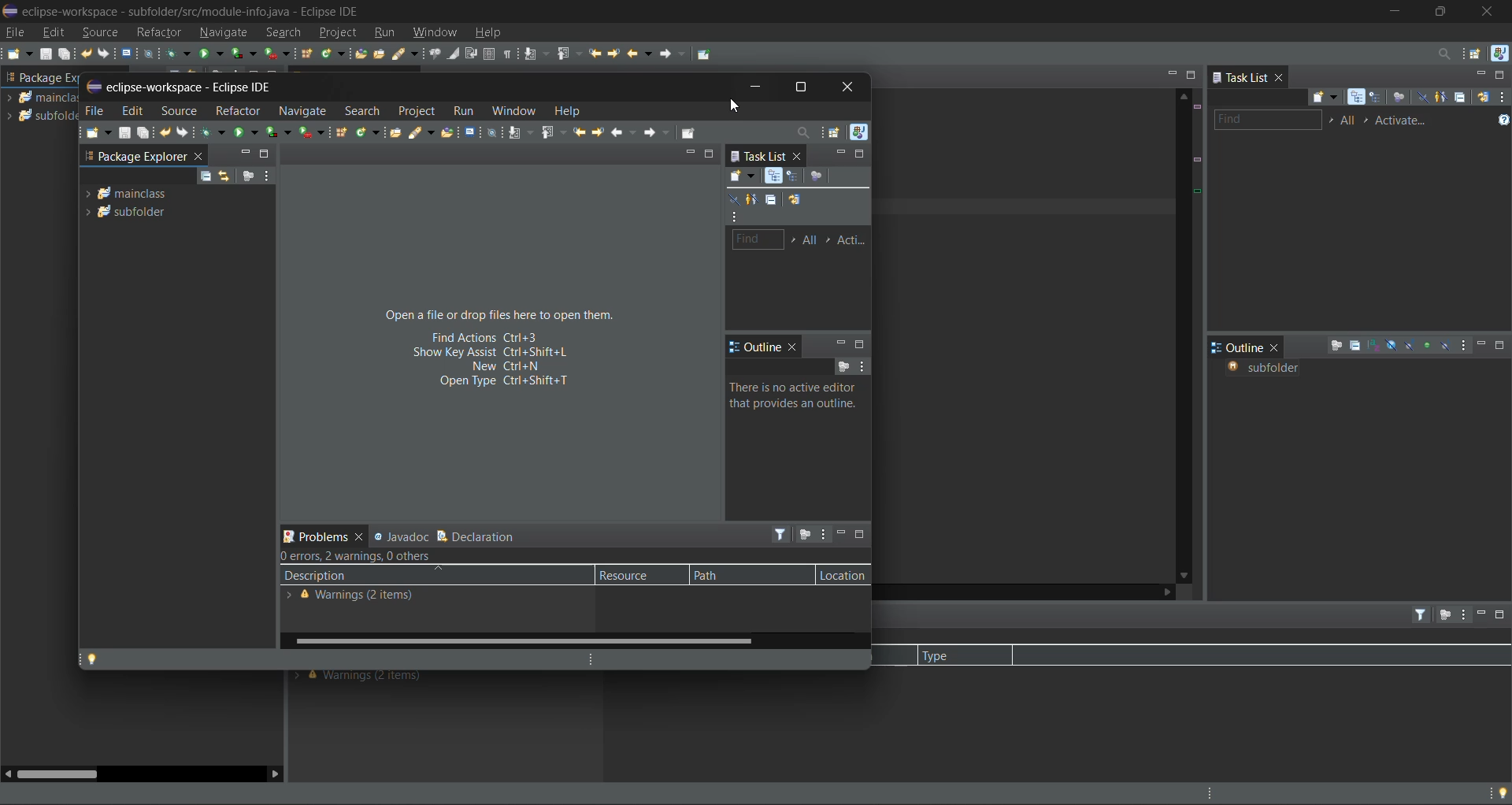 The width and height of the screenshot is (1512, 805). What do you see at coordinates (758, 239) in the screenshot?
I see `find` at bounding box center [758, 239].